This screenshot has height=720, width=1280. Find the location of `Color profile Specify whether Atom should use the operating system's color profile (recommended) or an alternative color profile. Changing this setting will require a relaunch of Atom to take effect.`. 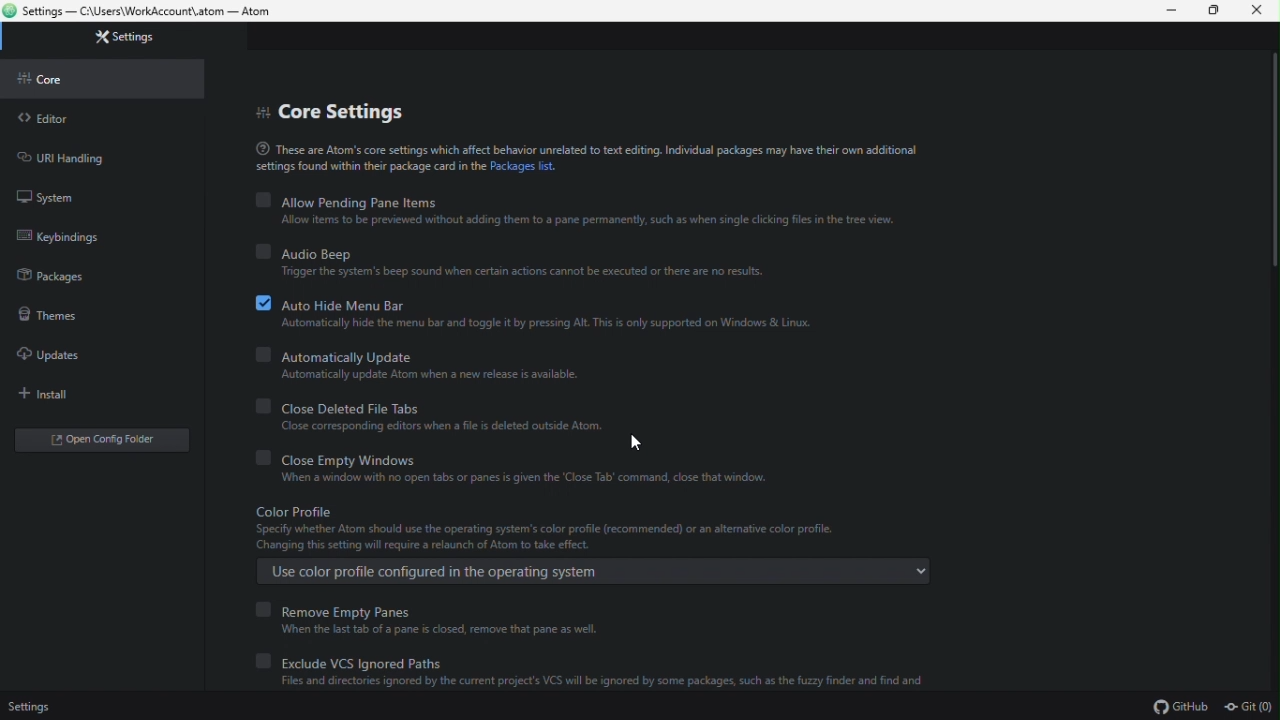

Color profile Specify whether Atom should use the operating system's color profile (recommended) or an alternative color profile. Changing this setting will require a relaunch of Atom to take effect. is located at coordinates (538, 528).